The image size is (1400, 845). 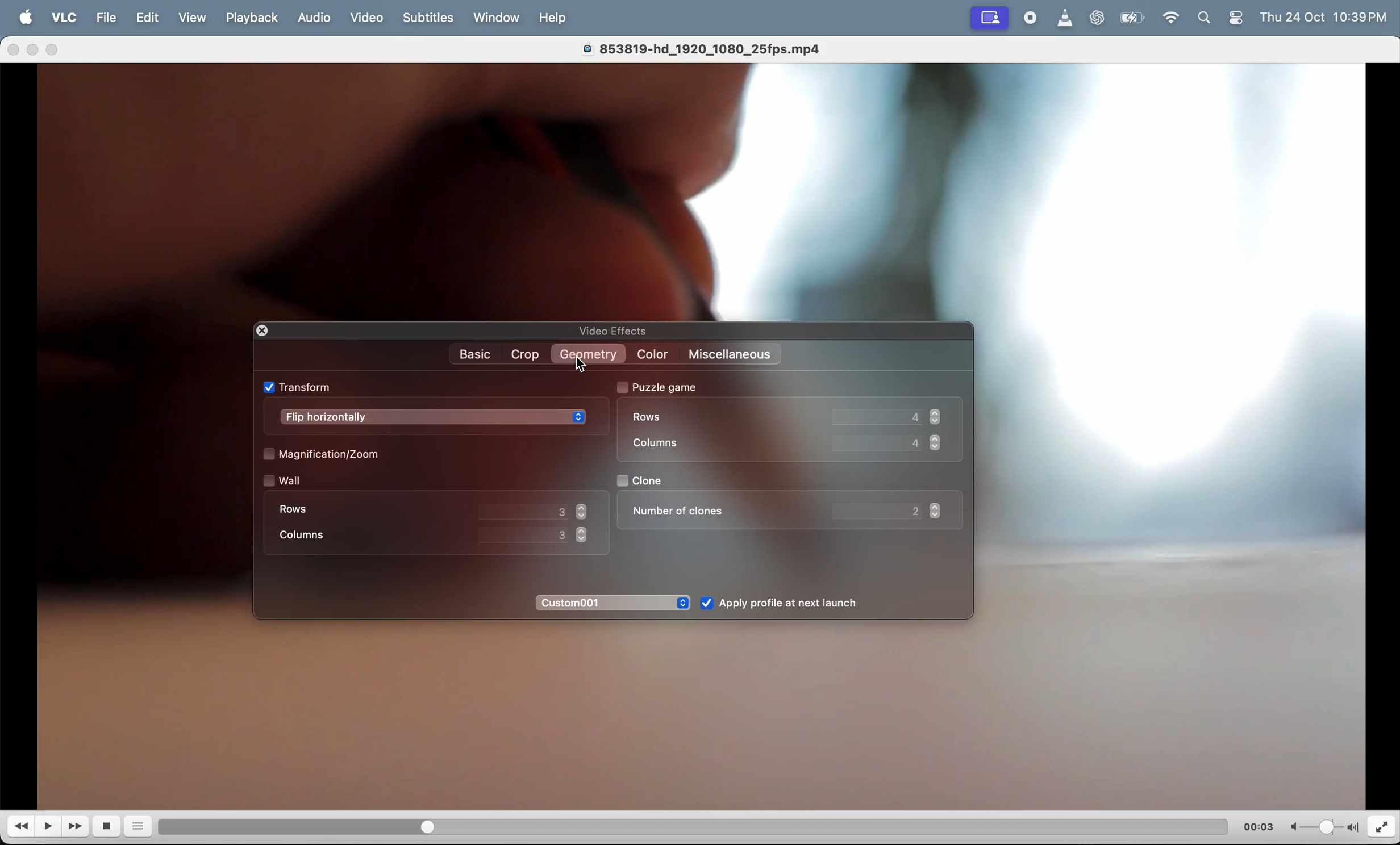 What do you see at coordinates (1382, 826) in the screenshot?
I see `` at bounding box center [1382, 826].